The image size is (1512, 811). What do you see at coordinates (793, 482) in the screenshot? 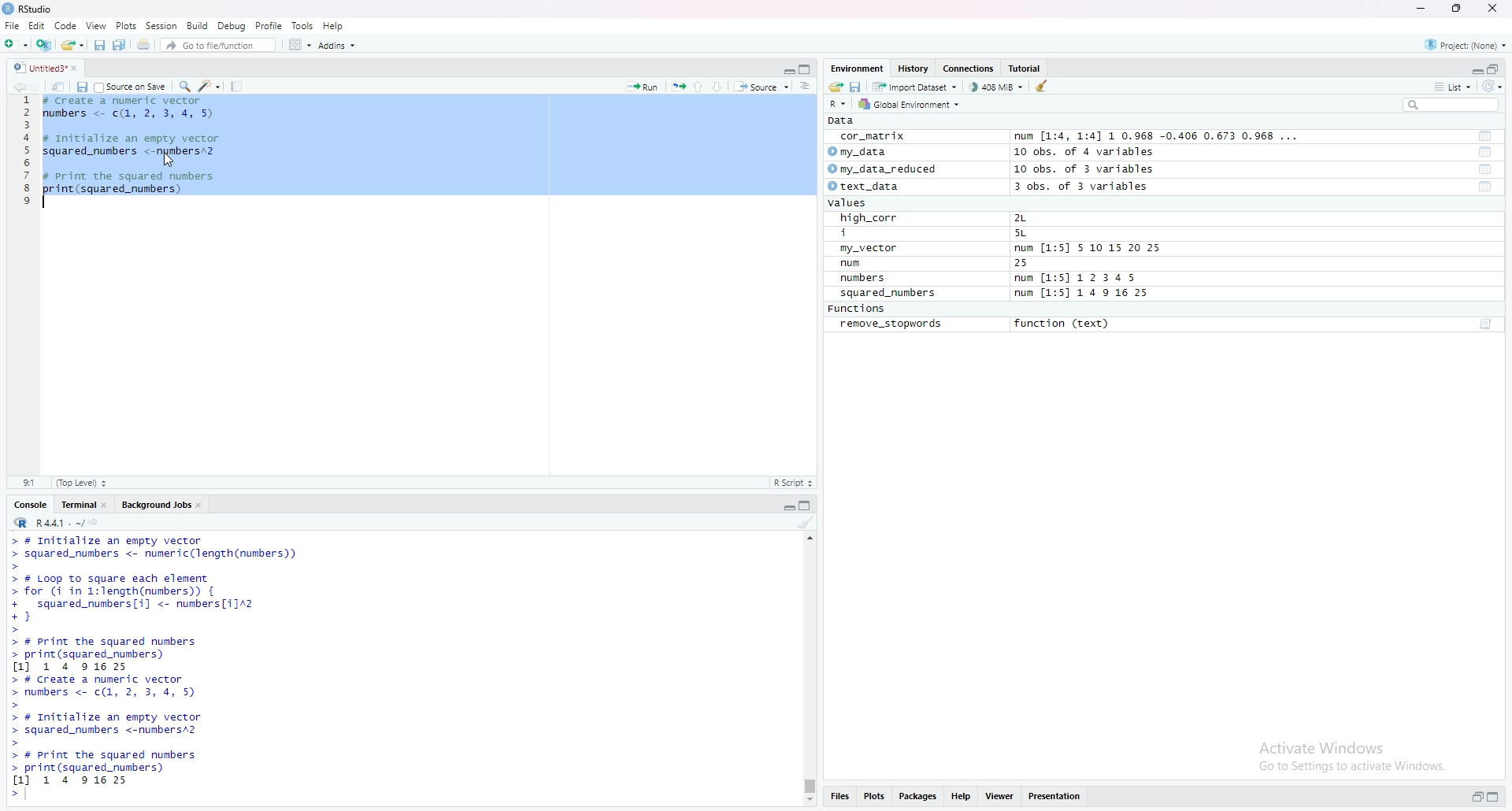
I see `R Script` at bounding box center [793, 482].